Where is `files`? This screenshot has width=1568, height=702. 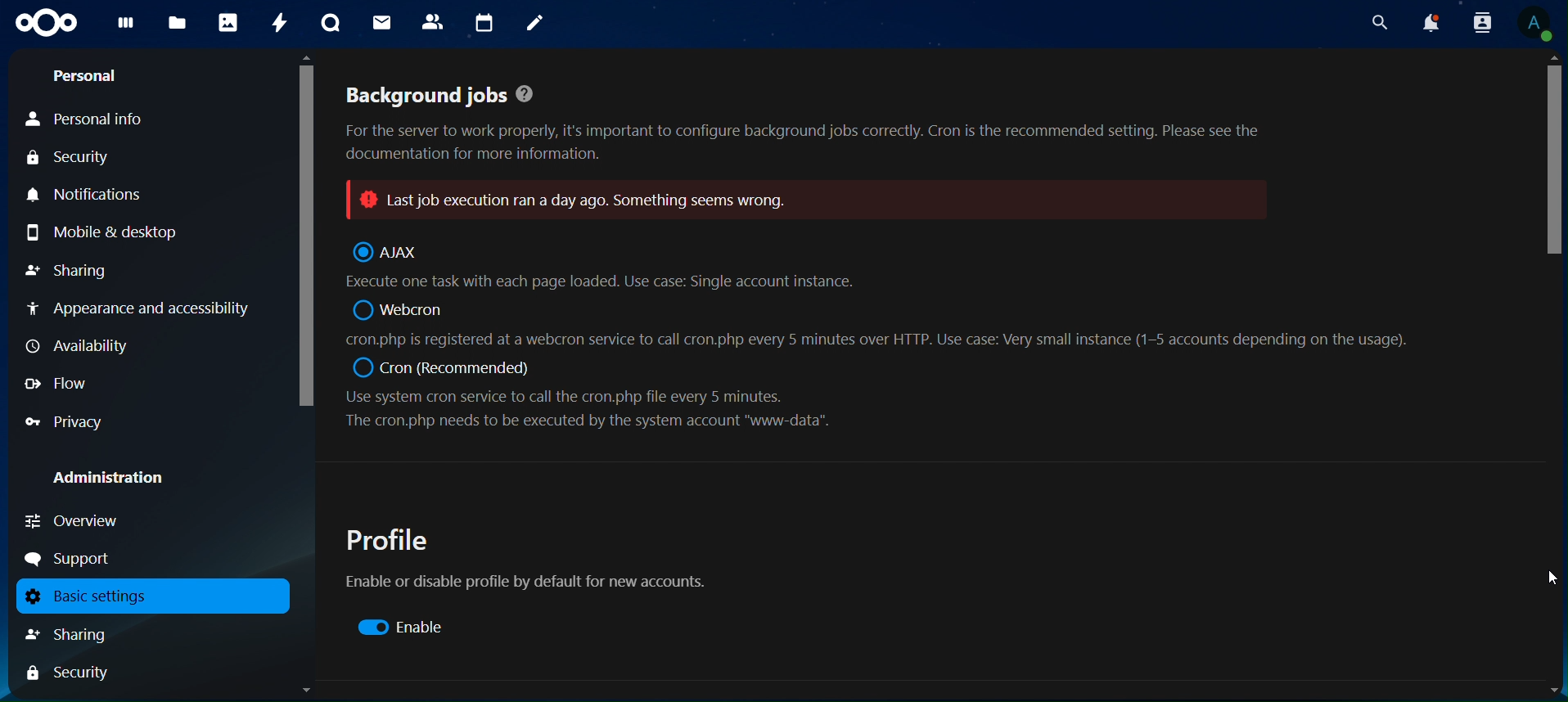 files is located at coordinates (177, 24).